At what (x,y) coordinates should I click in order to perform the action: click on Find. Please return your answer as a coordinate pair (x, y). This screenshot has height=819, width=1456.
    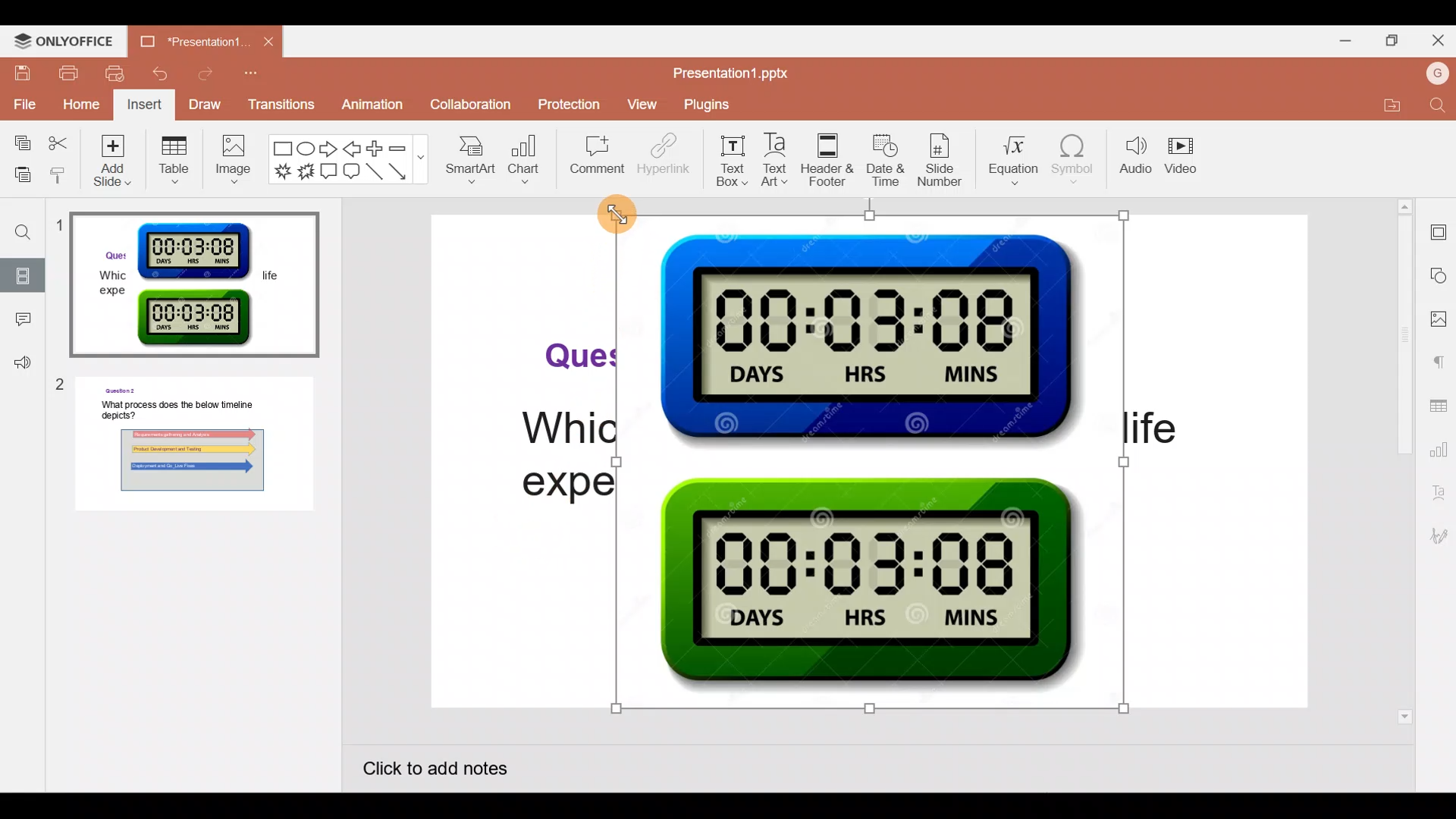
    Looking at the image, I should click on (1435, 108).